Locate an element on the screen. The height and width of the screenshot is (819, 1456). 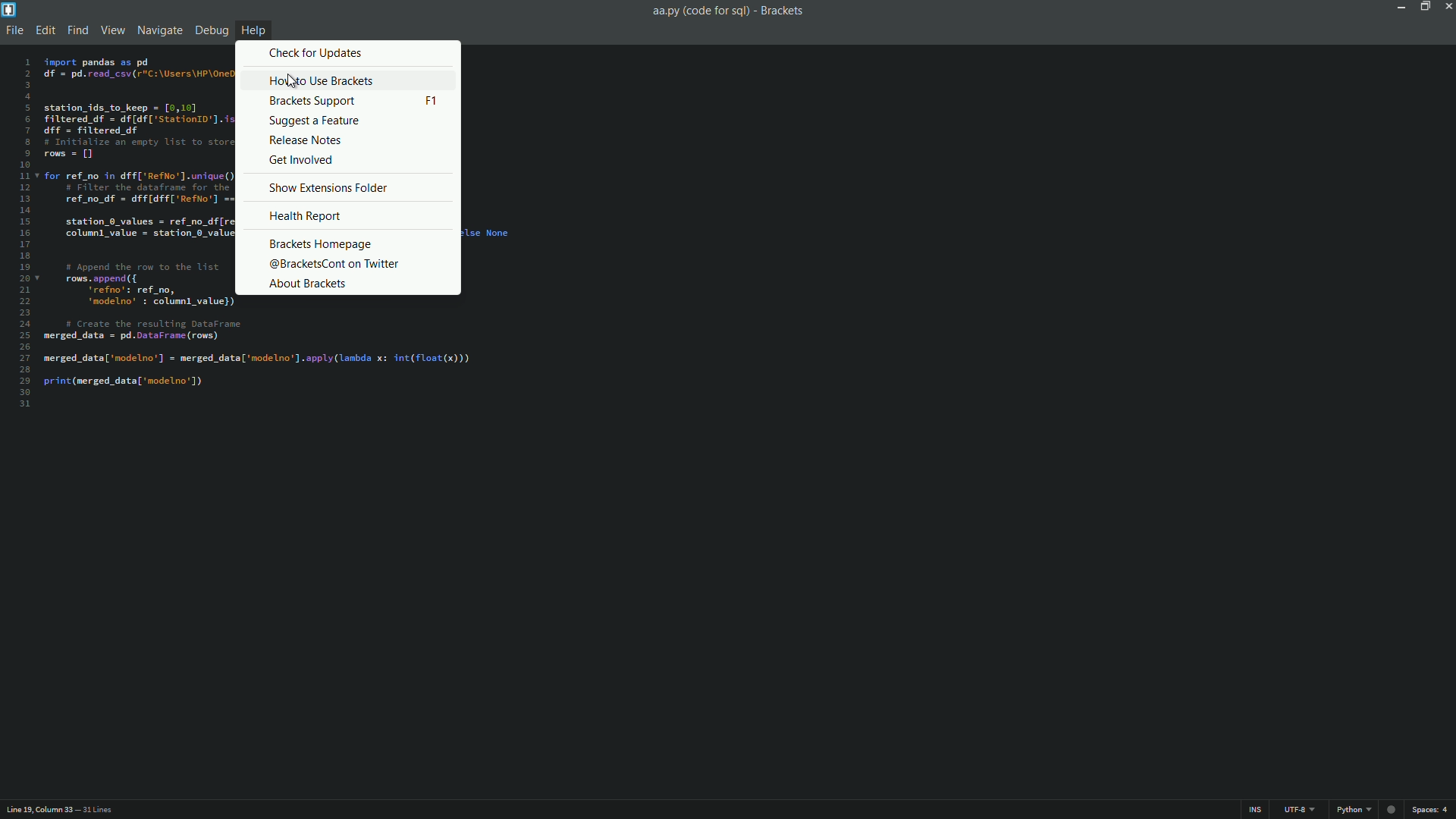
brackets homepage is located at coordinates (320, 244).